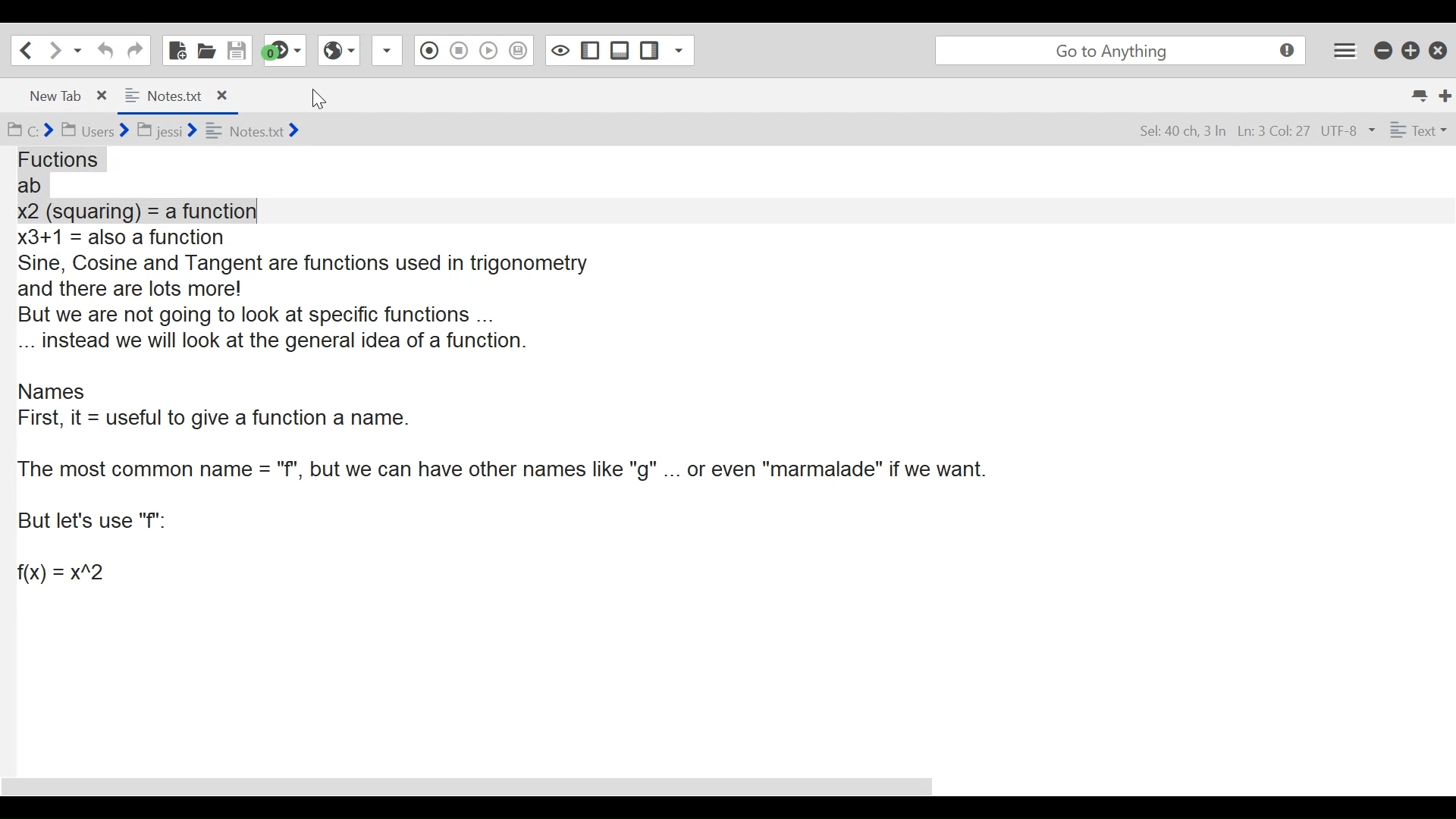 This screenshot has height=819, width=1456. I want to click on Click to go back one location, so click(24, 50).